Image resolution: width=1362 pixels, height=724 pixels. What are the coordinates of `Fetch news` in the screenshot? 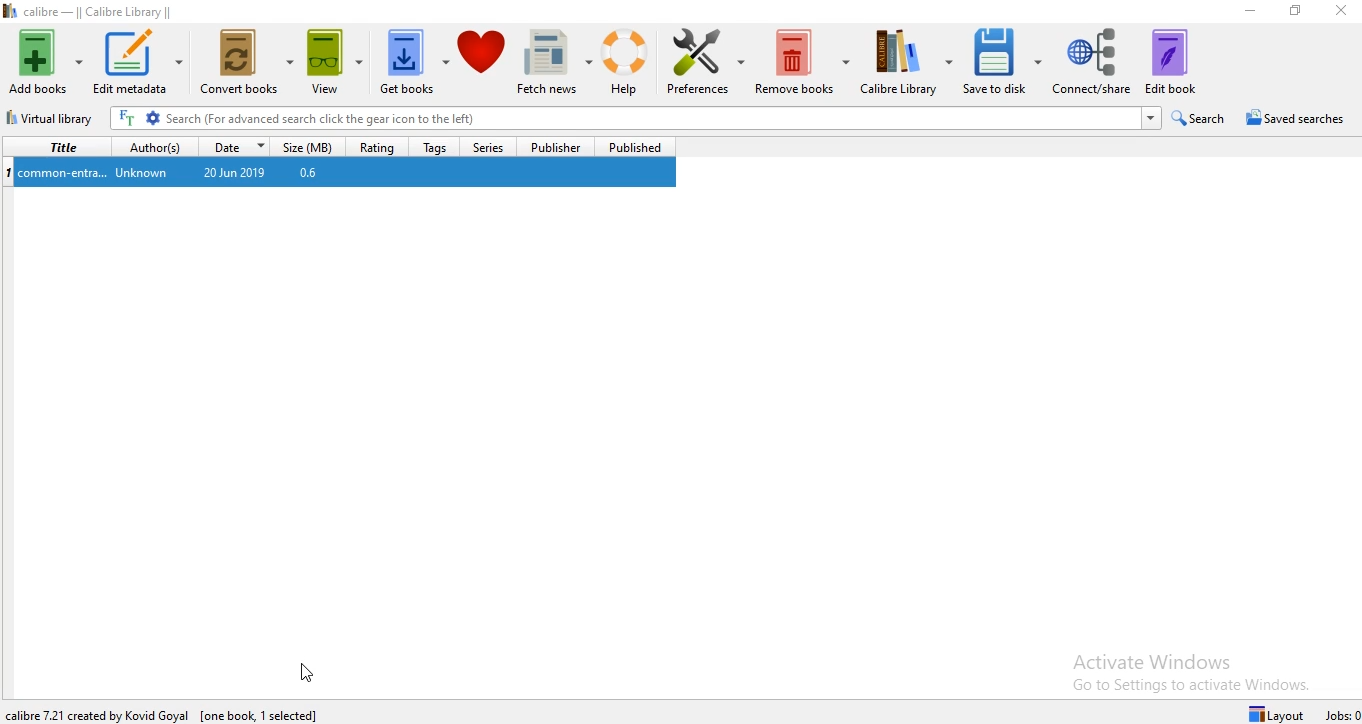 It's located at (554, 67).